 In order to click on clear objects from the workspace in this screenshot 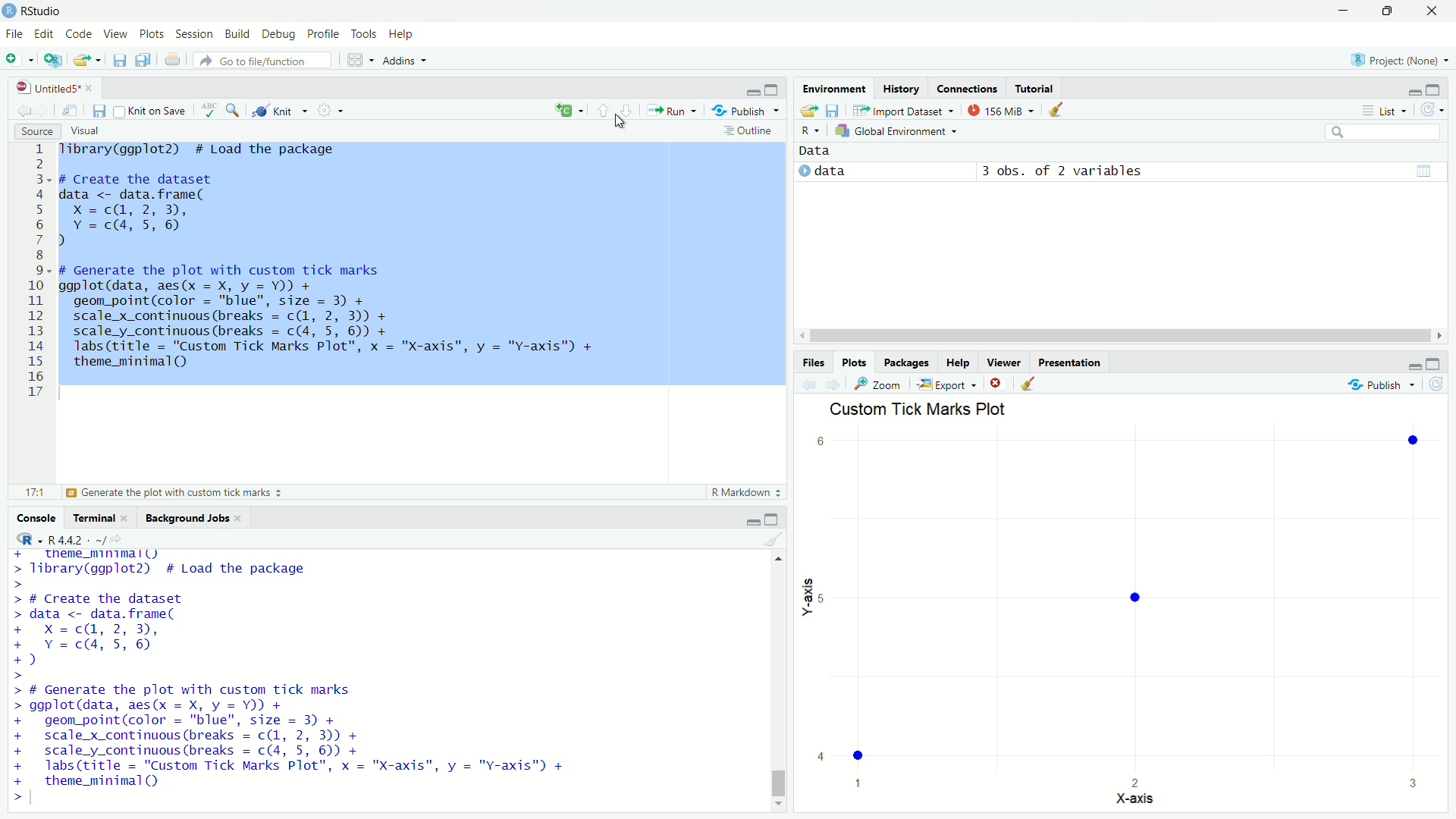, I will do `click(1063, 111)`.